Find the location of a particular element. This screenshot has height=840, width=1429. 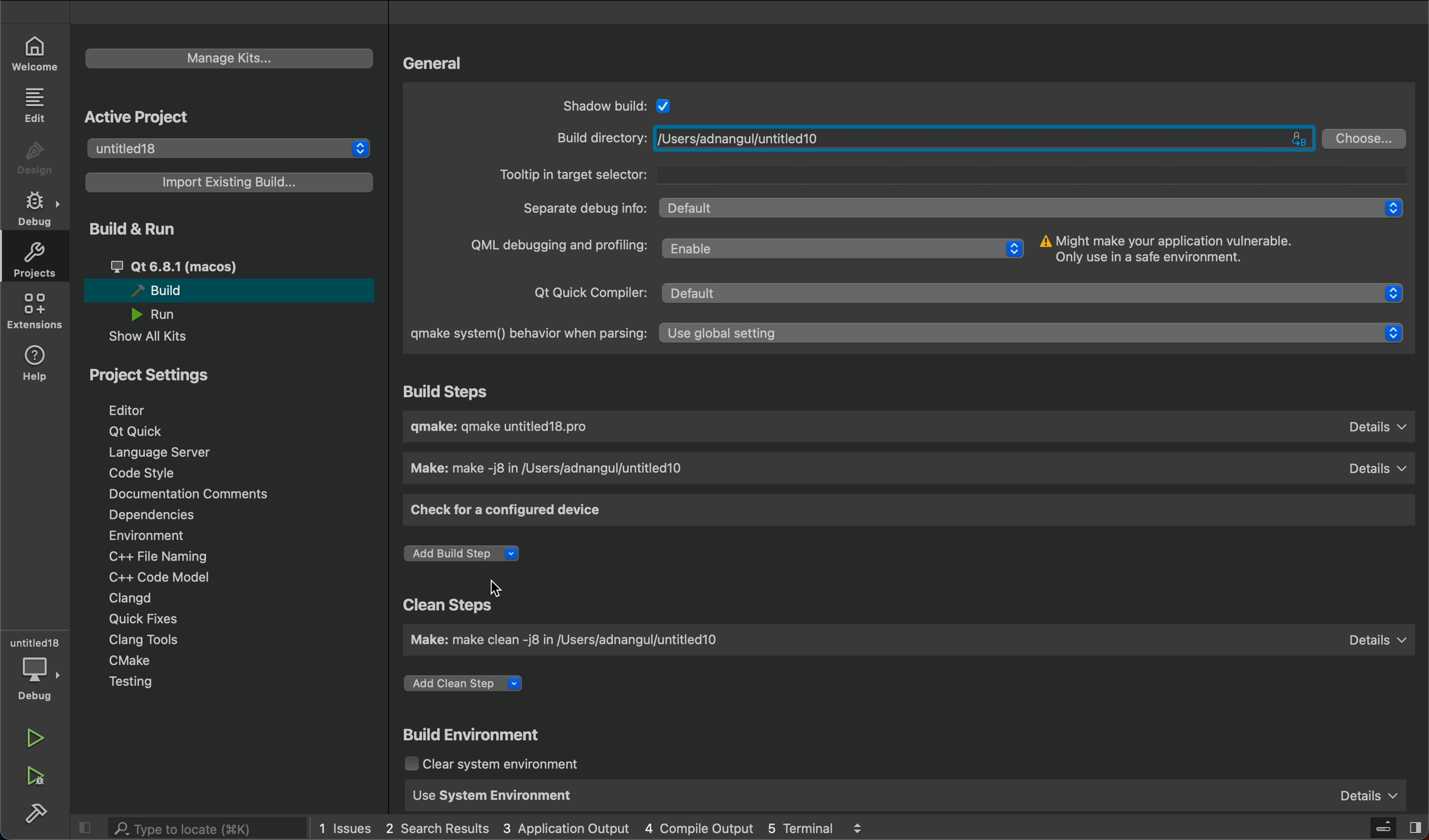

Build directory: is located at coordinates (598, 139).